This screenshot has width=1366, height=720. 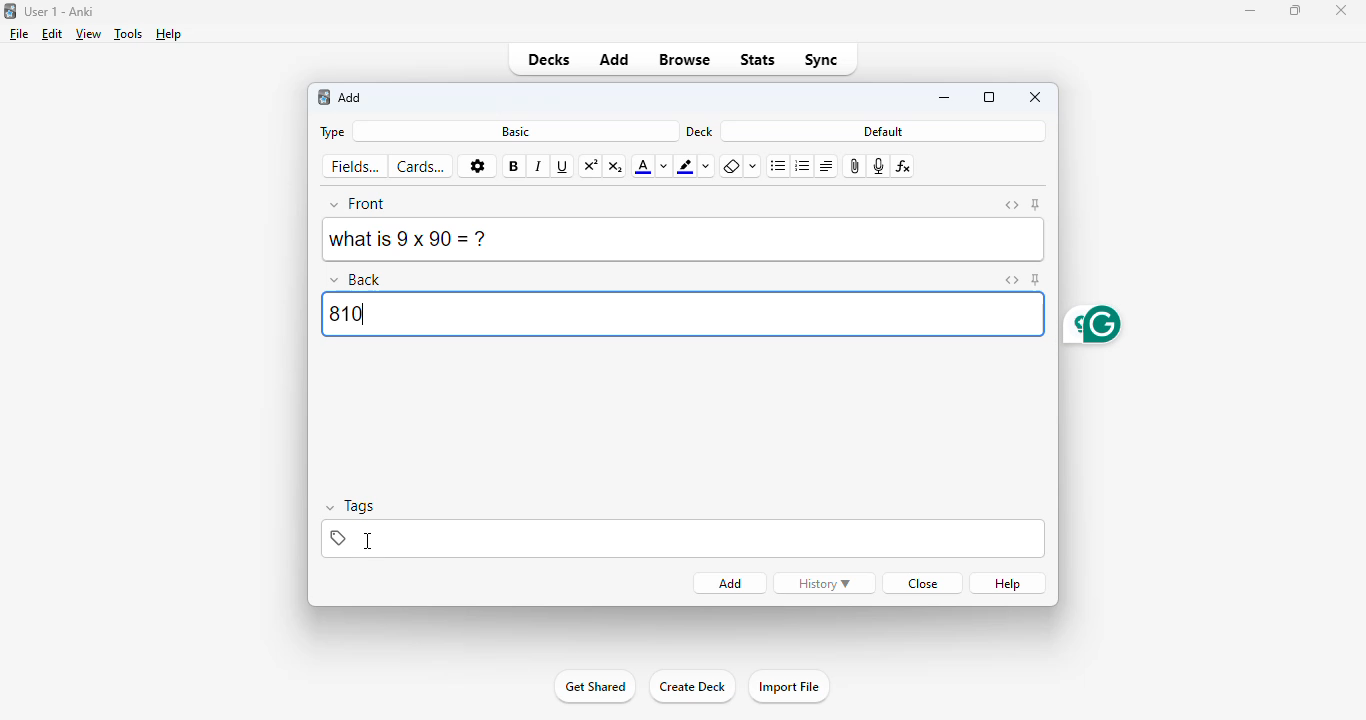 What do you see at coordinates (548, 59) in the screenshot?
I see `decks` at bounding box center [548, 59].